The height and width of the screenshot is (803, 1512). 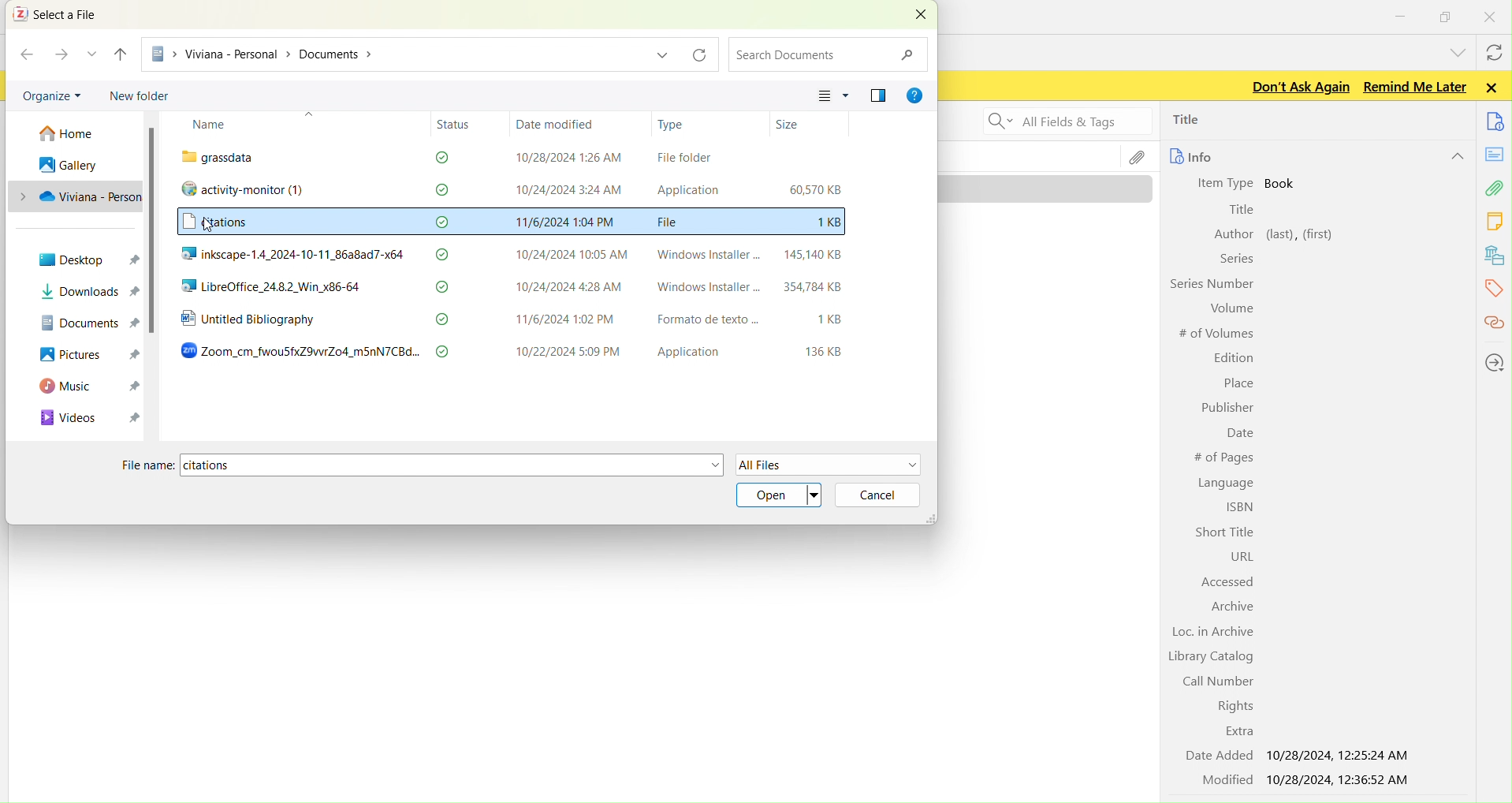 I want to click on file name, so click(x=414, y=463).